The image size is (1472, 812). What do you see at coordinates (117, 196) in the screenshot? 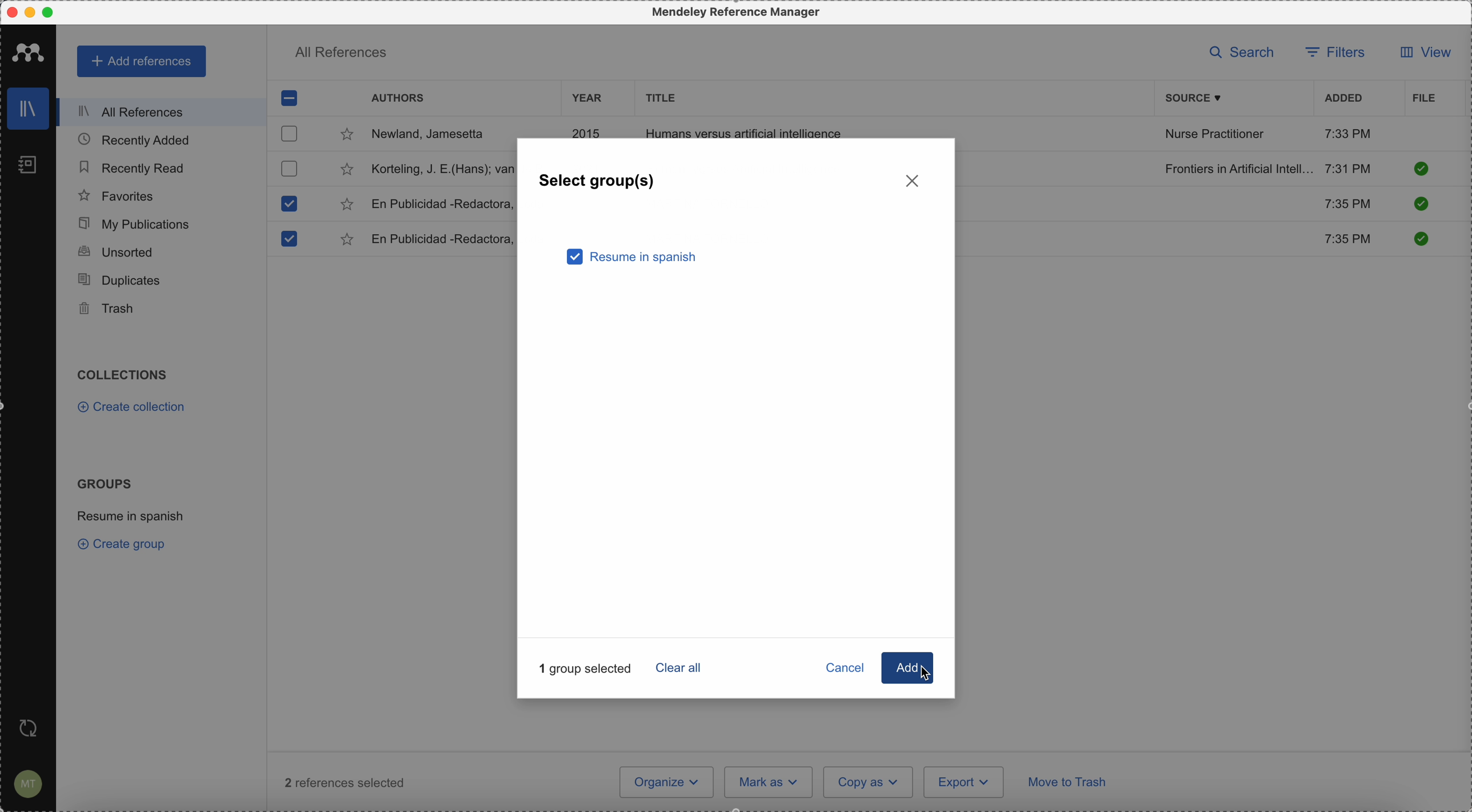
I see `favorites` at bounding box center [117, 196].